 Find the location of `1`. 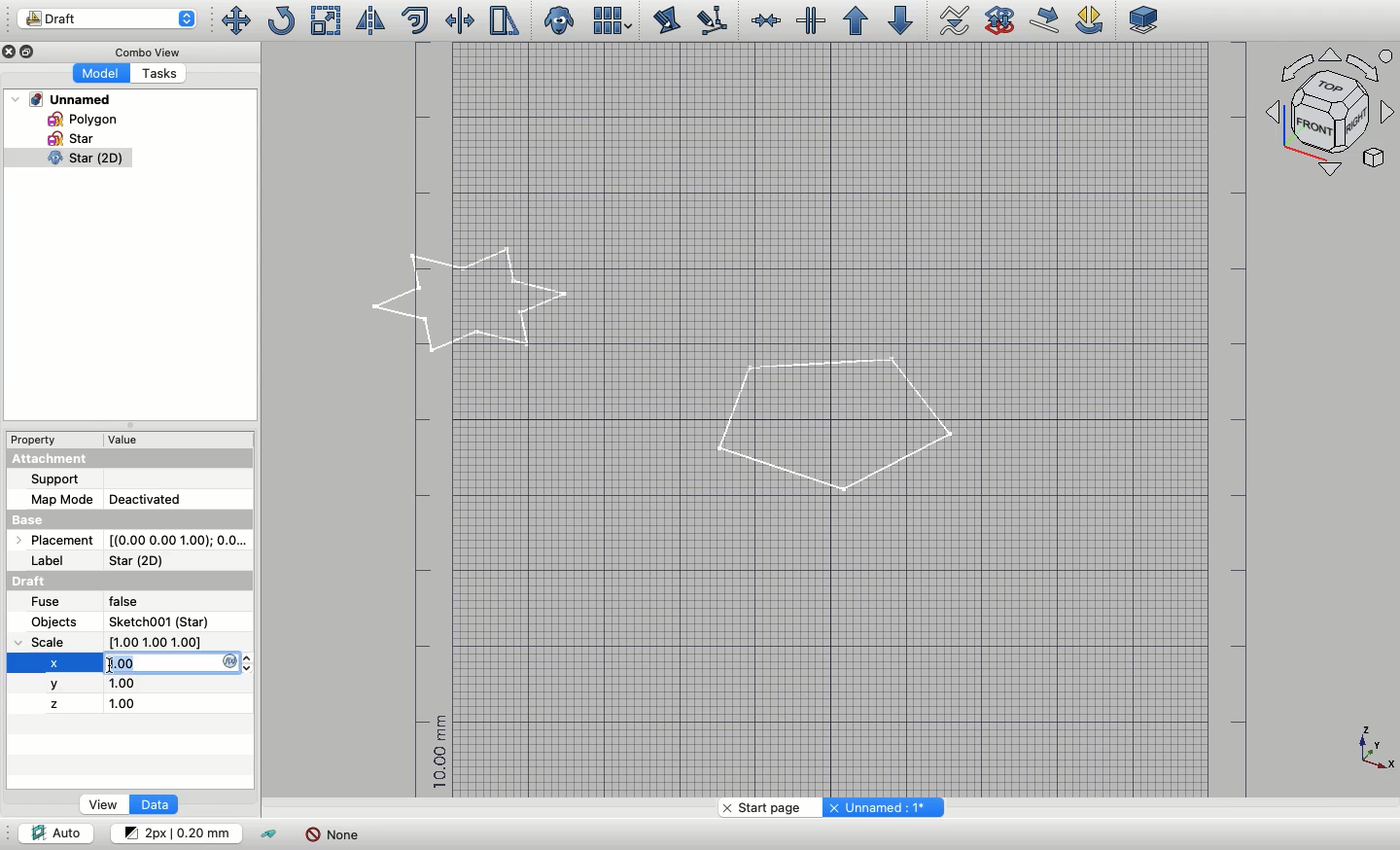

1 is located at coordinates (126, 704).